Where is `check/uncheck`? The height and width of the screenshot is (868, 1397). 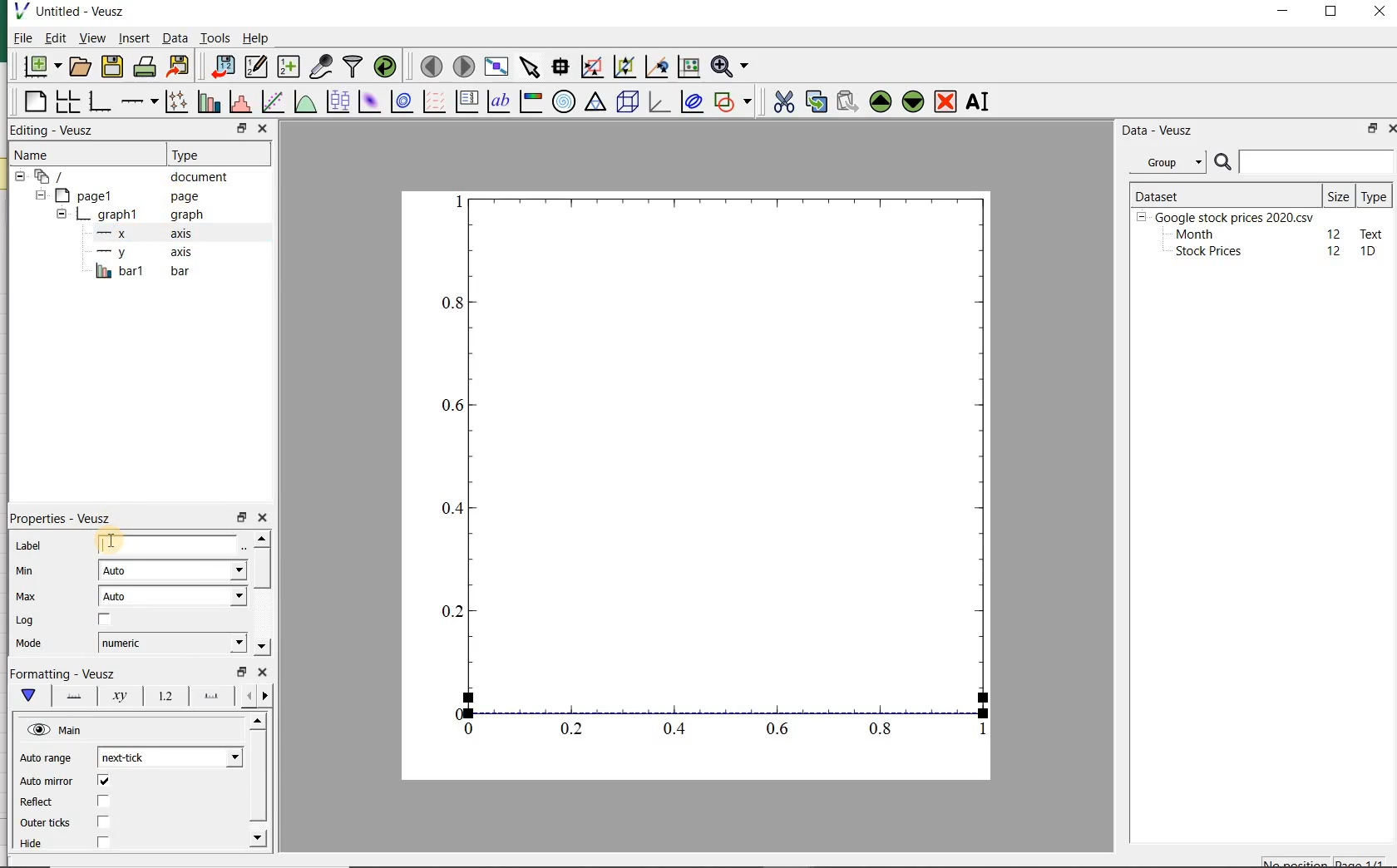 check/uncheck is located at coordinates (104, 622).